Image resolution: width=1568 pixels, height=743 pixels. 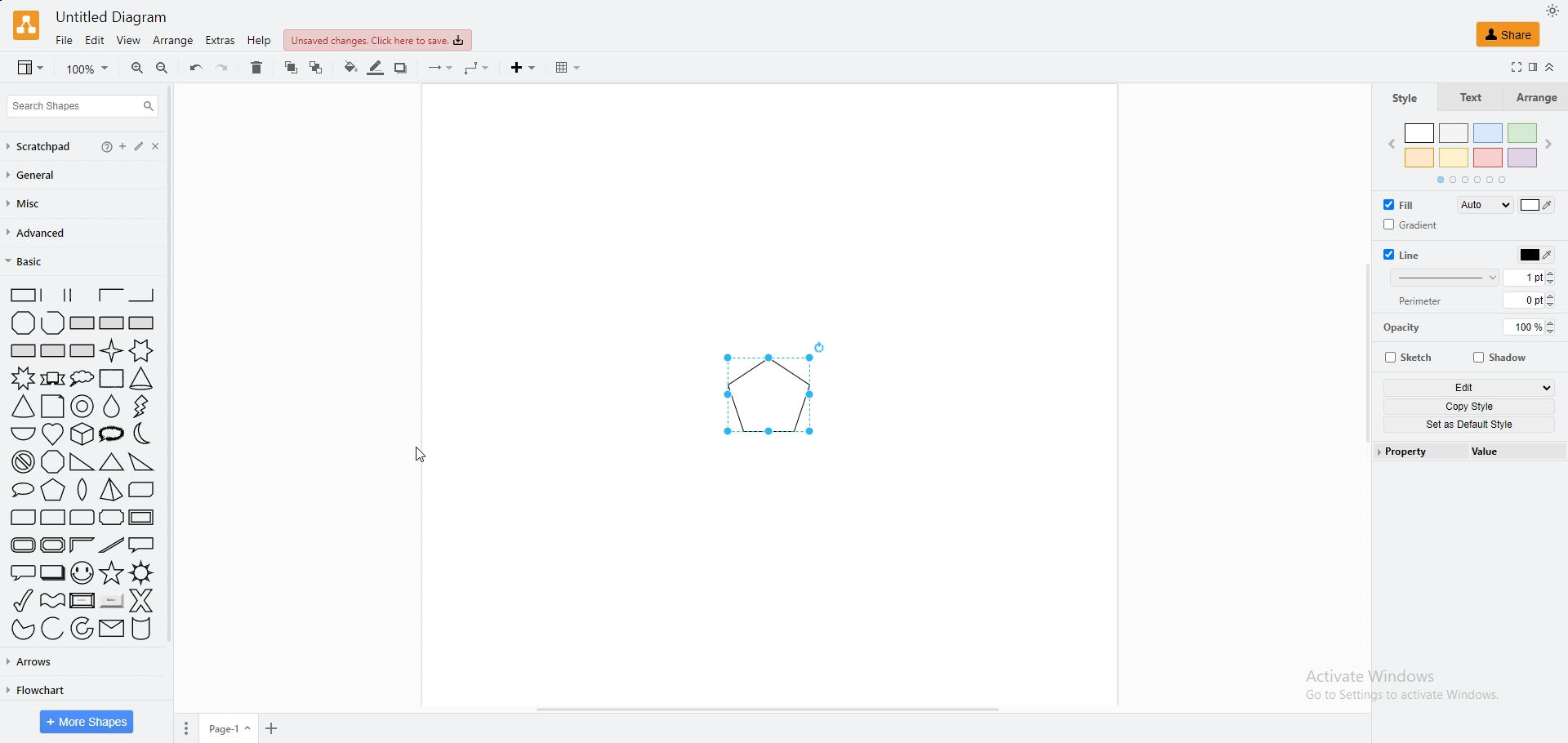 What do you see at coordinates (479, 69) in the screenshot?
I see `waypoint` at bounding box center [479, 69].